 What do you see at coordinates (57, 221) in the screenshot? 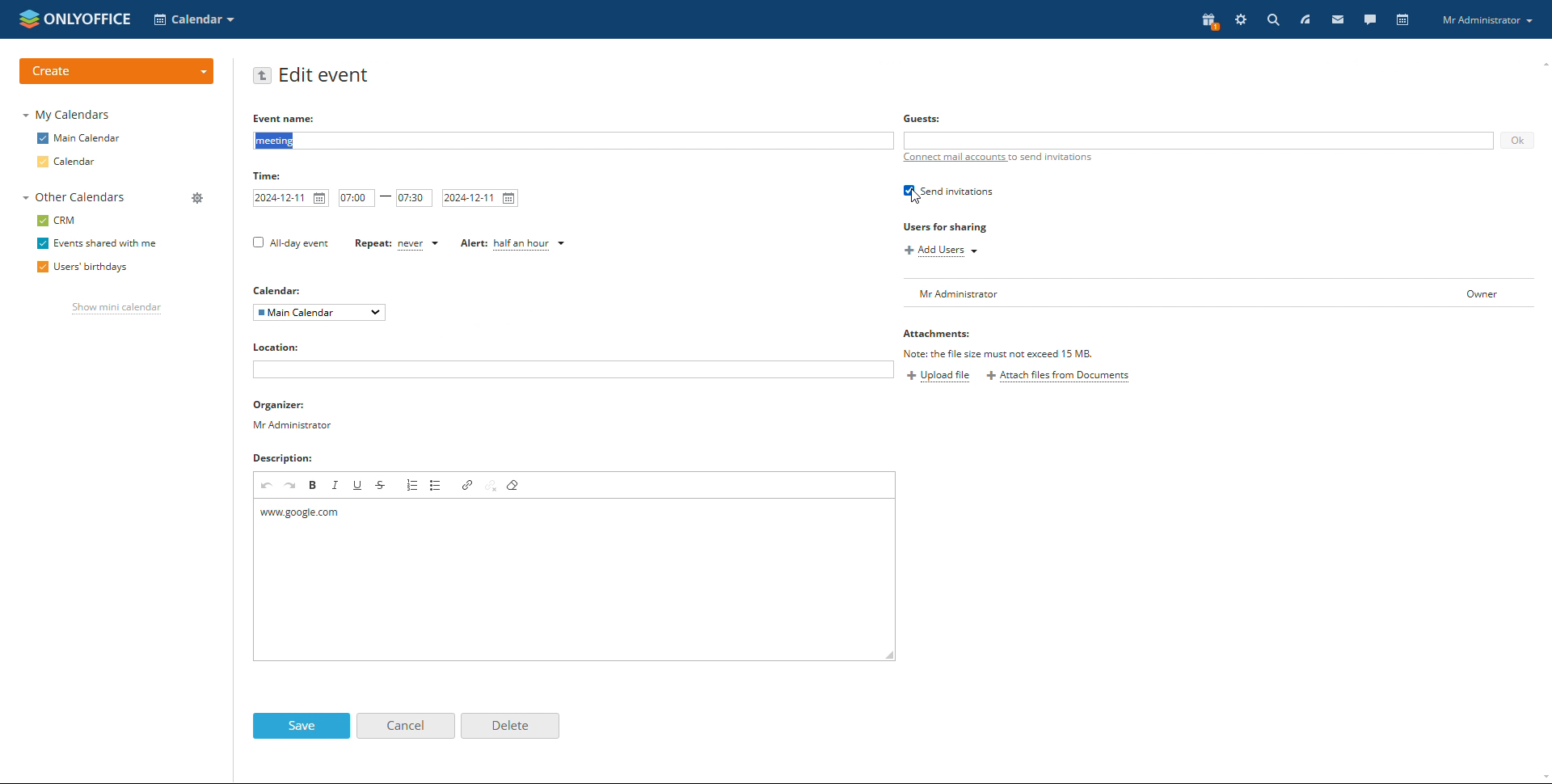
I see `crm` at bounding box center [57, 221].